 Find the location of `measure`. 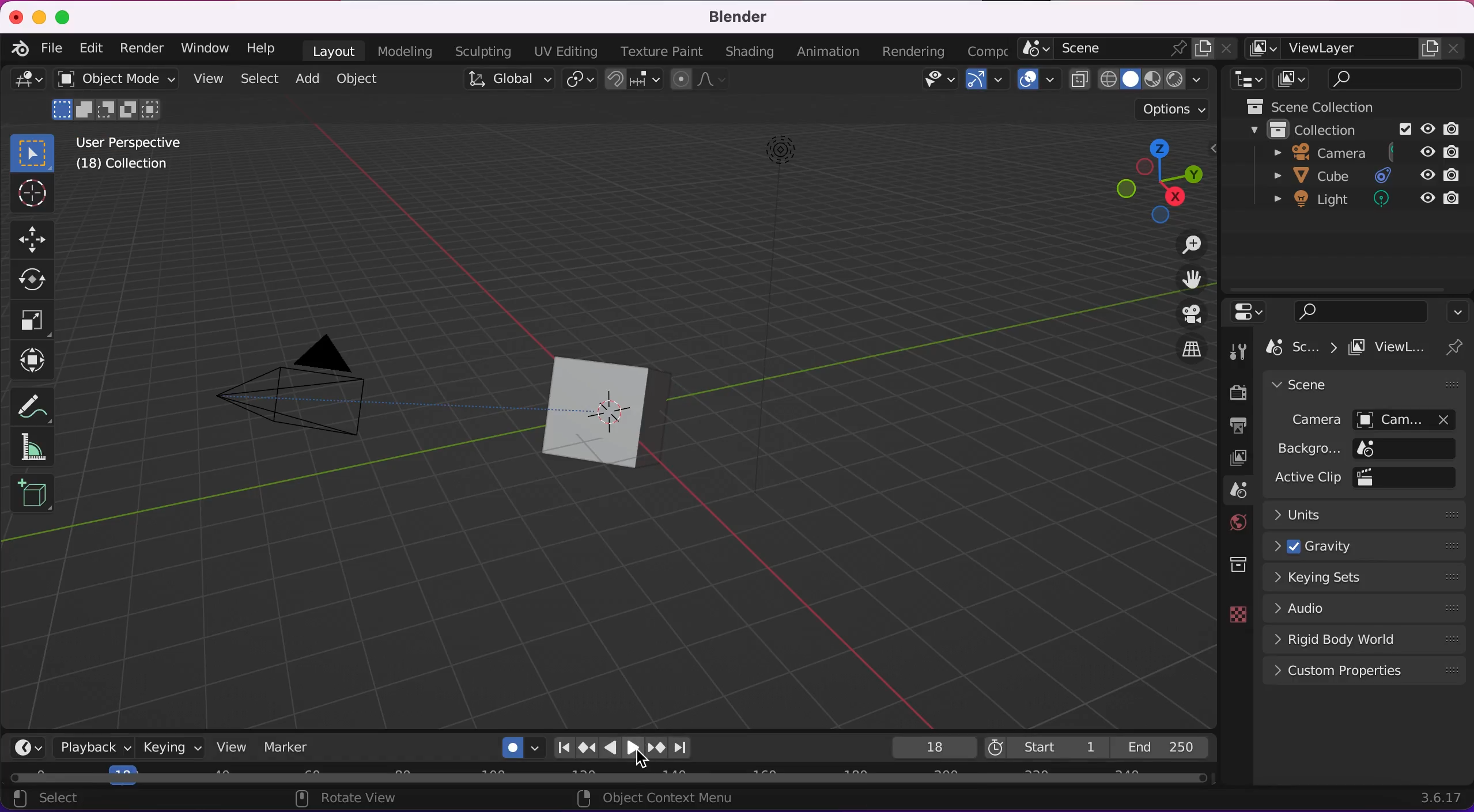

measure is located at coordinates (31, 447).